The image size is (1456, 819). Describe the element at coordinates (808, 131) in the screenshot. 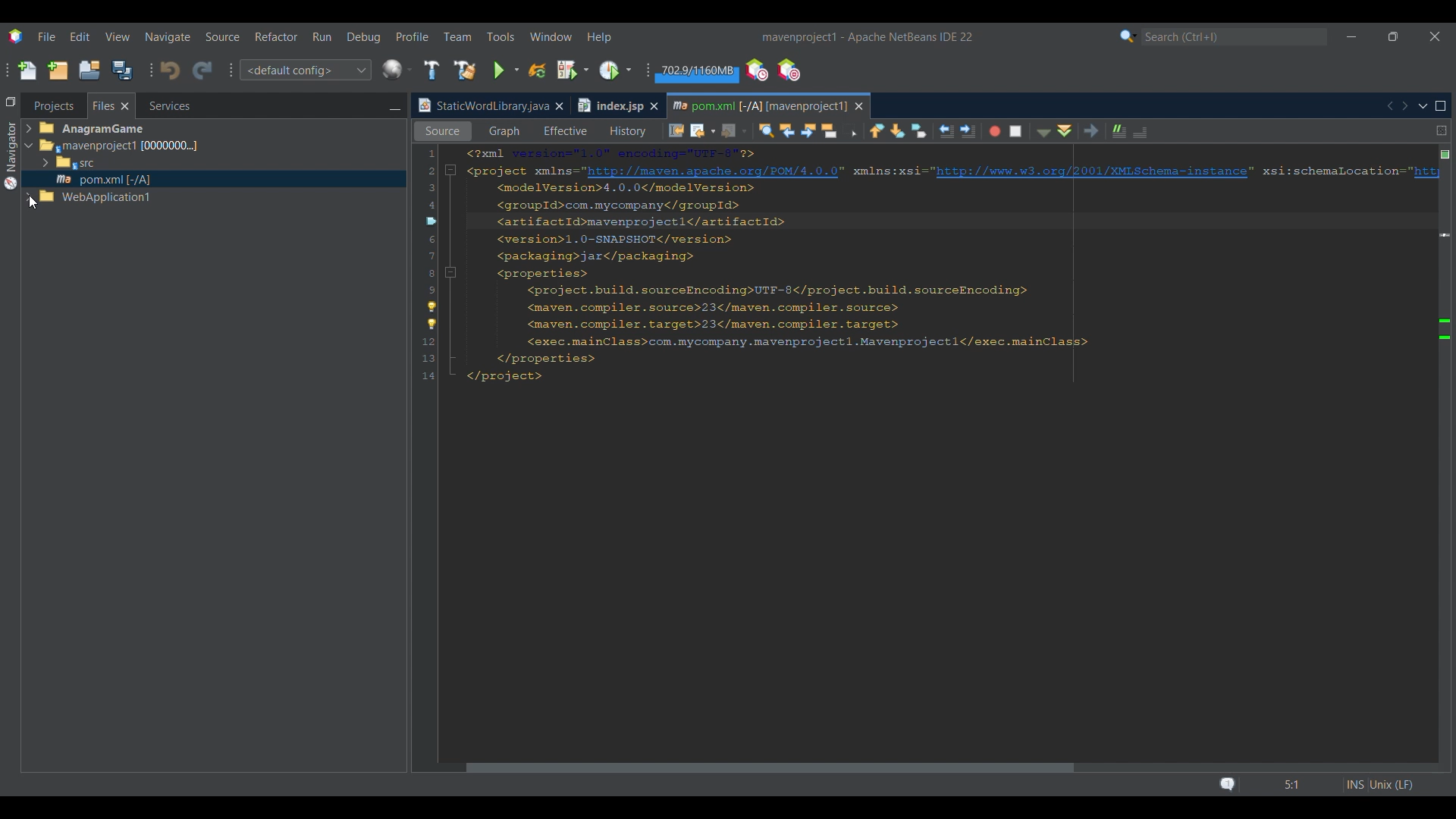

I see `Find next occurrence ` at that location.